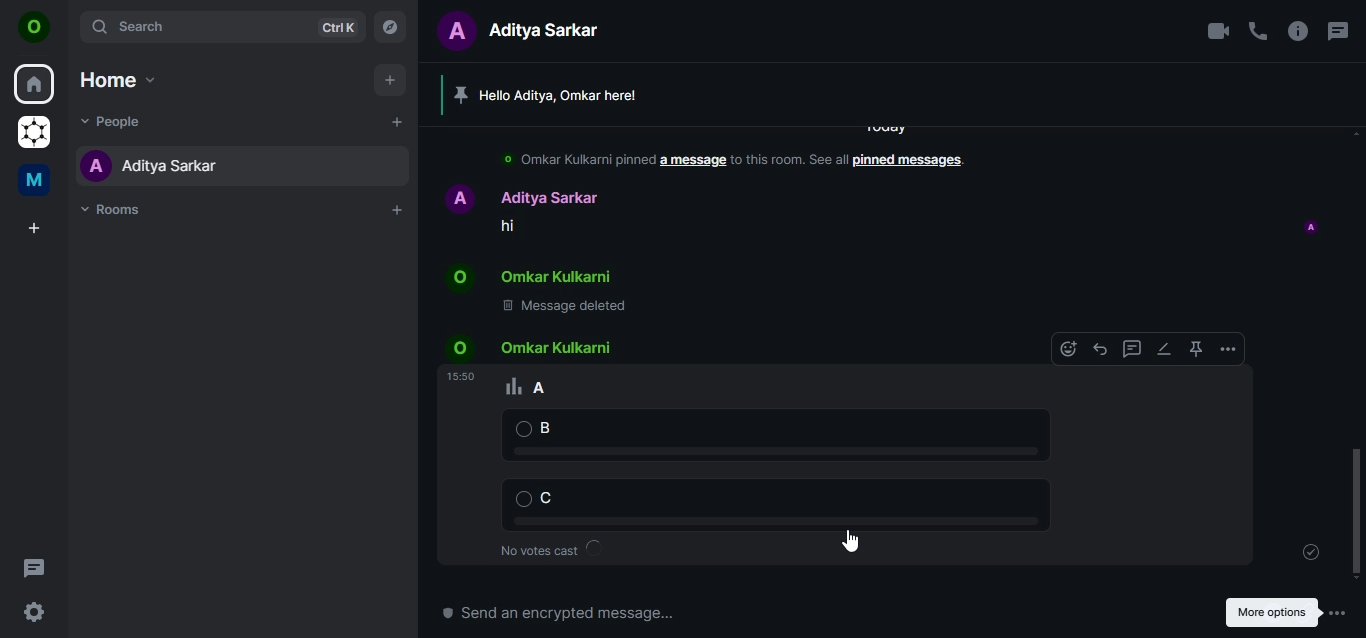 The image size is (1366, 638). I want to click on  Hello Aditya, Omkar here!, so click(557, 94).